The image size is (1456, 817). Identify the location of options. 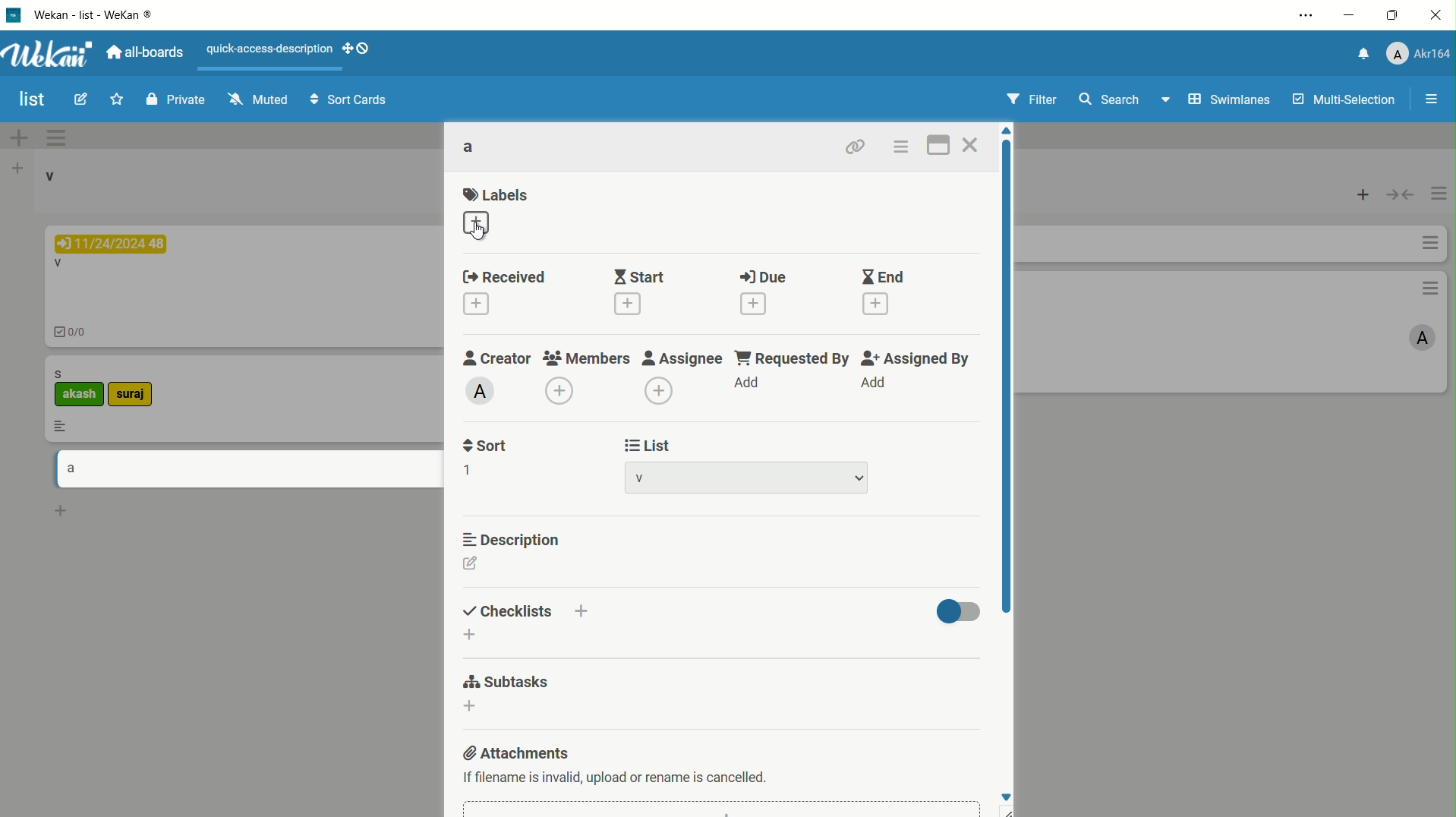
(1426, 244).